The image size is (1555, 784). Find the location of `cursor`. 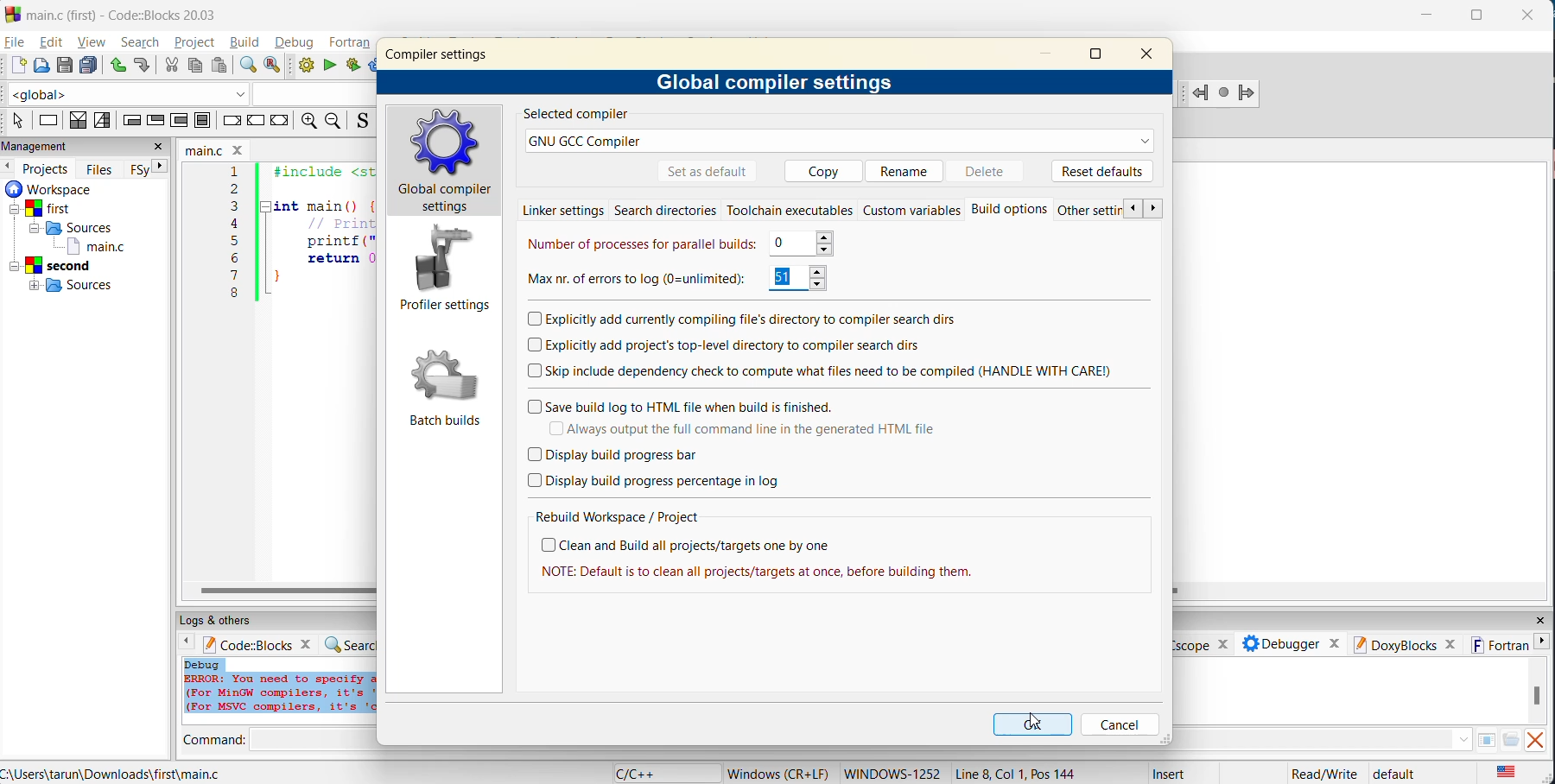

cursor is located at coordinates (1038, 724).